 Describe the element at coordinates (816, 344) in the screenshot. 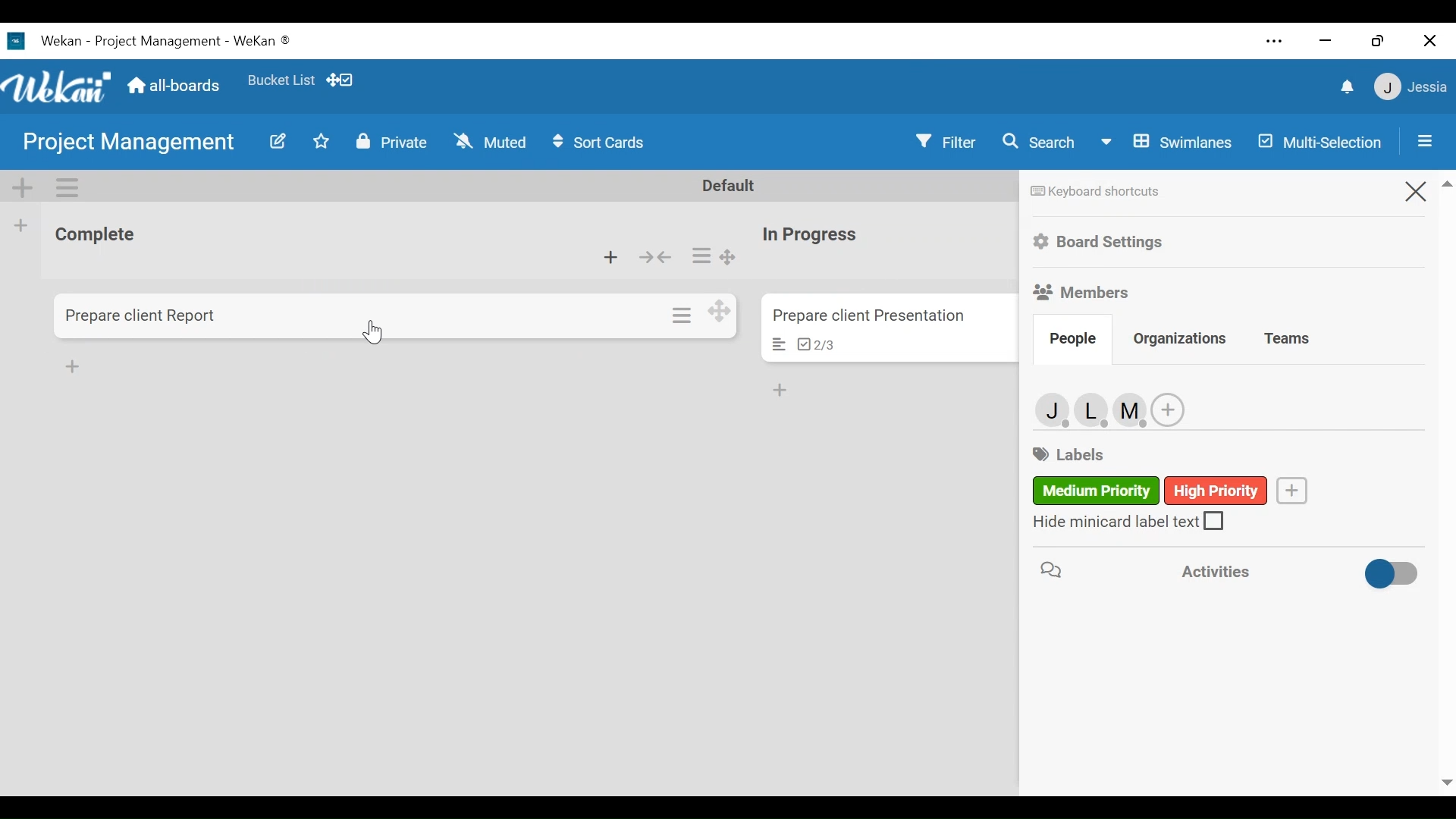

I see `Checklist` at that location.